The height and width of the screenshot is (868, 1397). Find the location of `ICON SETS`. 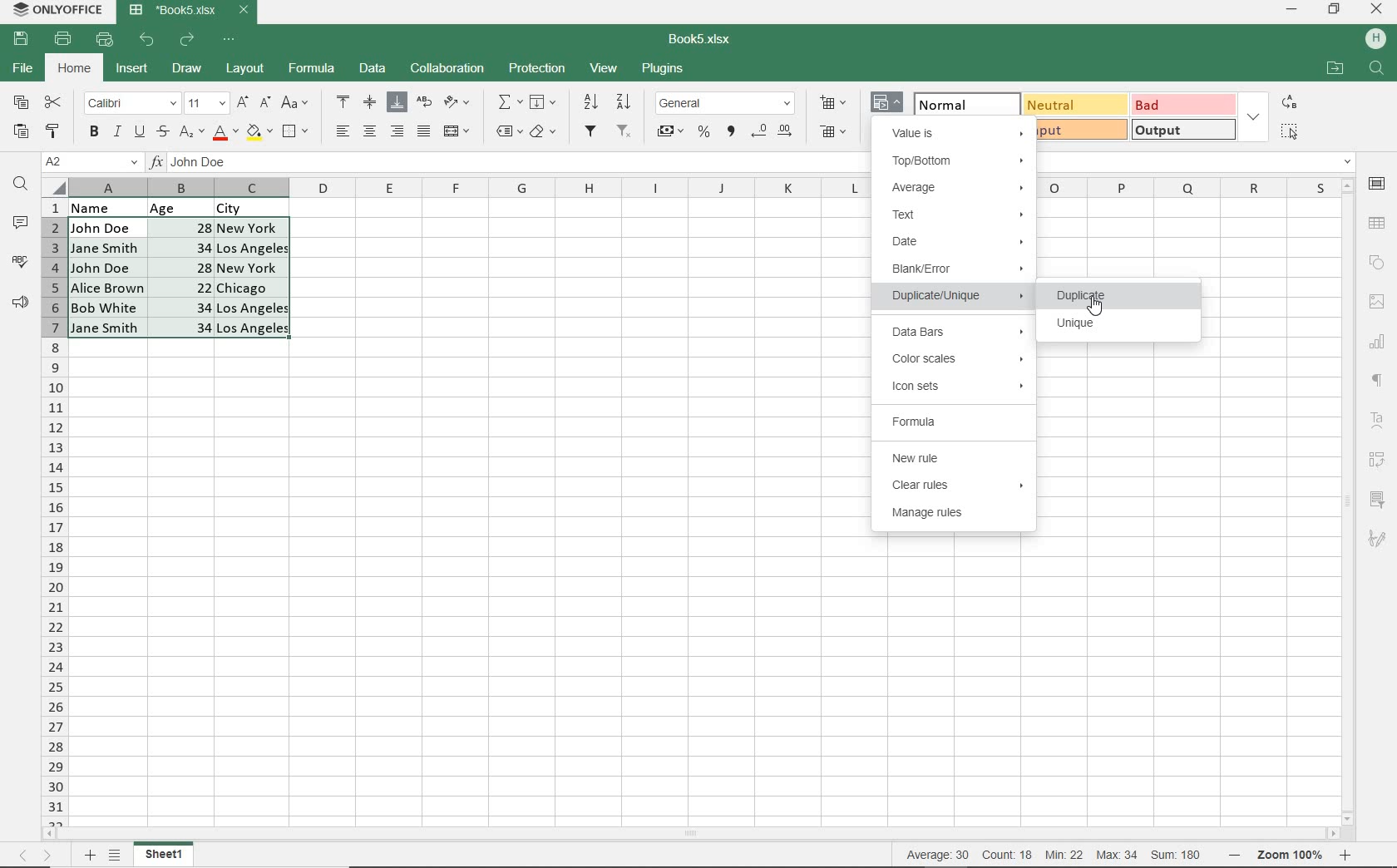

ICON SETS is located at coordinates (957, 387).